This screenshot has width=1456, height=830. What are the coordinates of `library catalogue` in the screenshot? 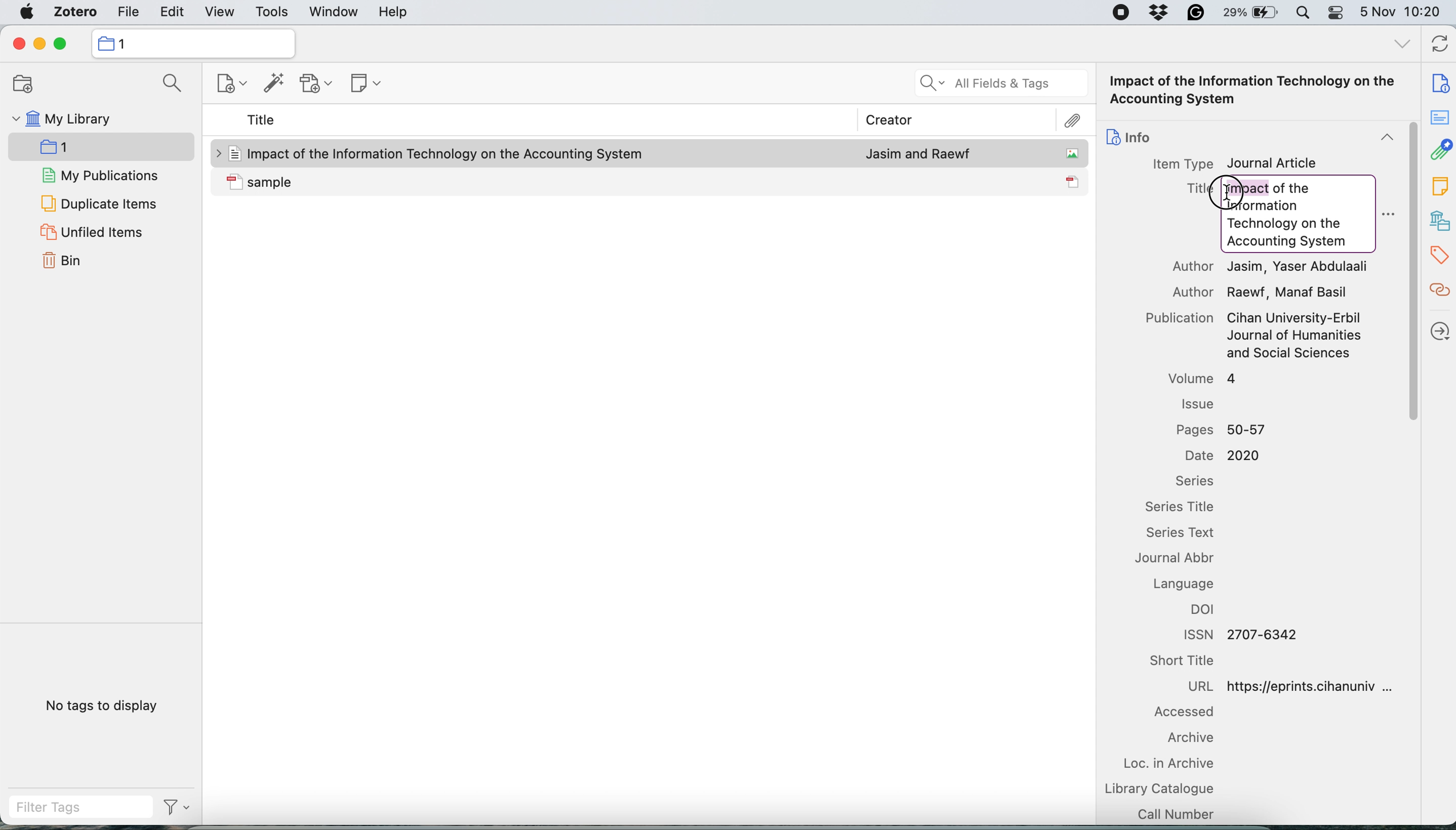 It's located at (1173, 788).